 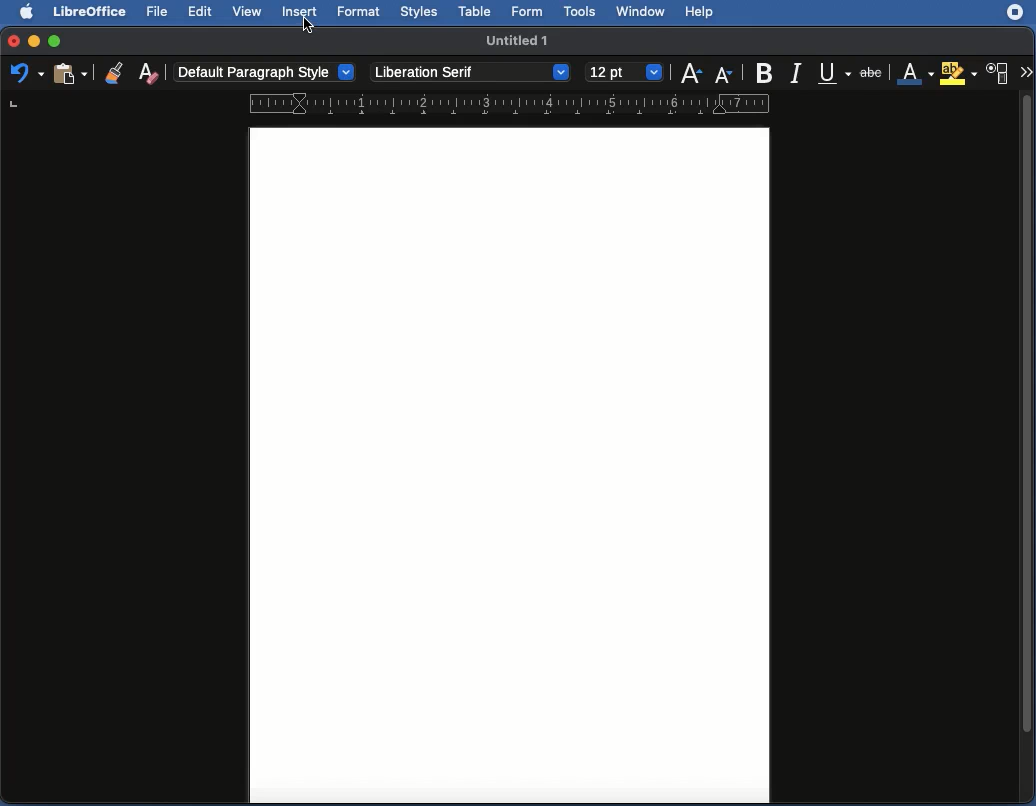 What do you see at coordinates (360, 12) in the screenshot?
I see `Format` at bounding box center [360, 12].